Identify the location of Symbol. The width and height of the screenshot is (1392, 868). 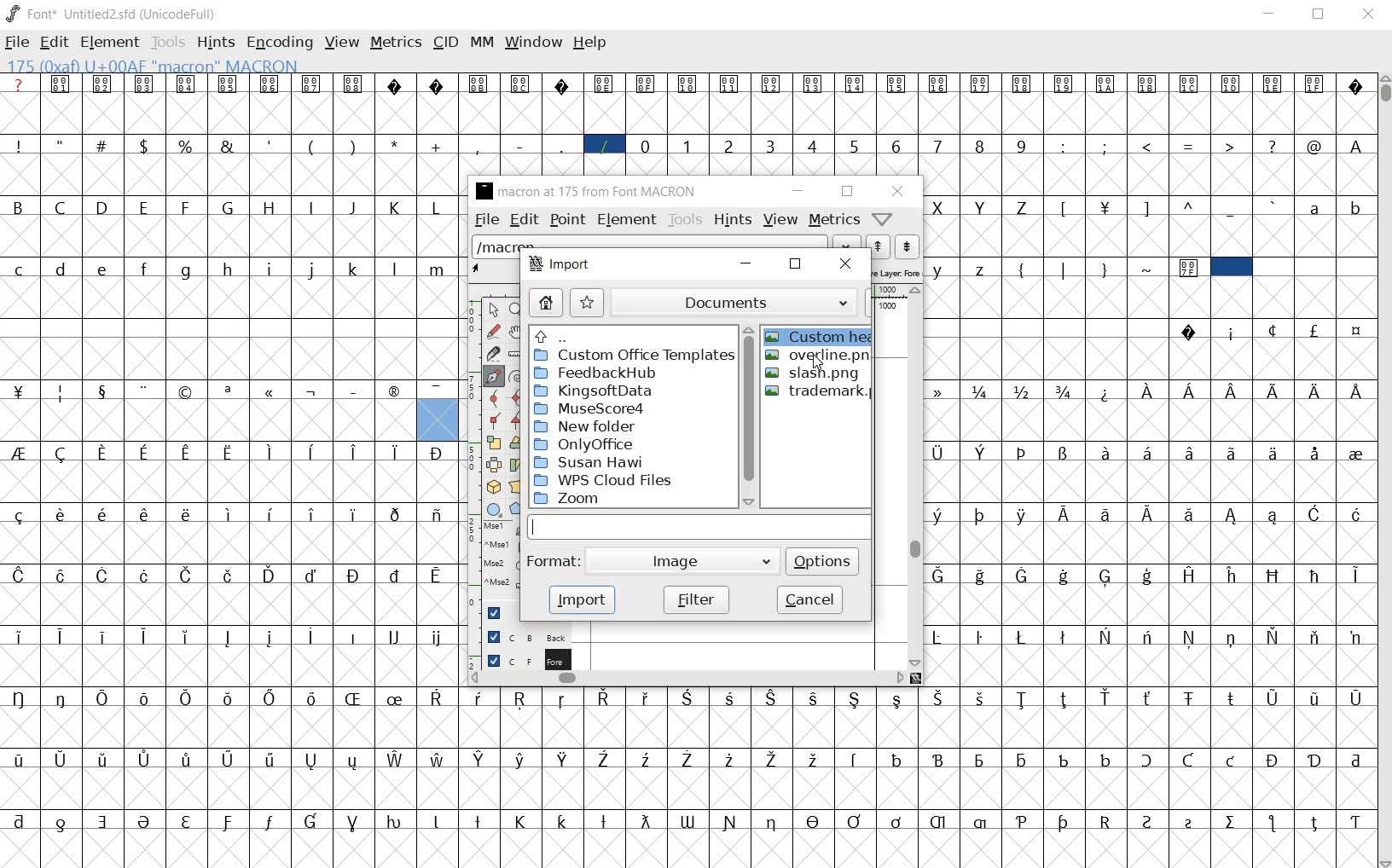
(63, 819).